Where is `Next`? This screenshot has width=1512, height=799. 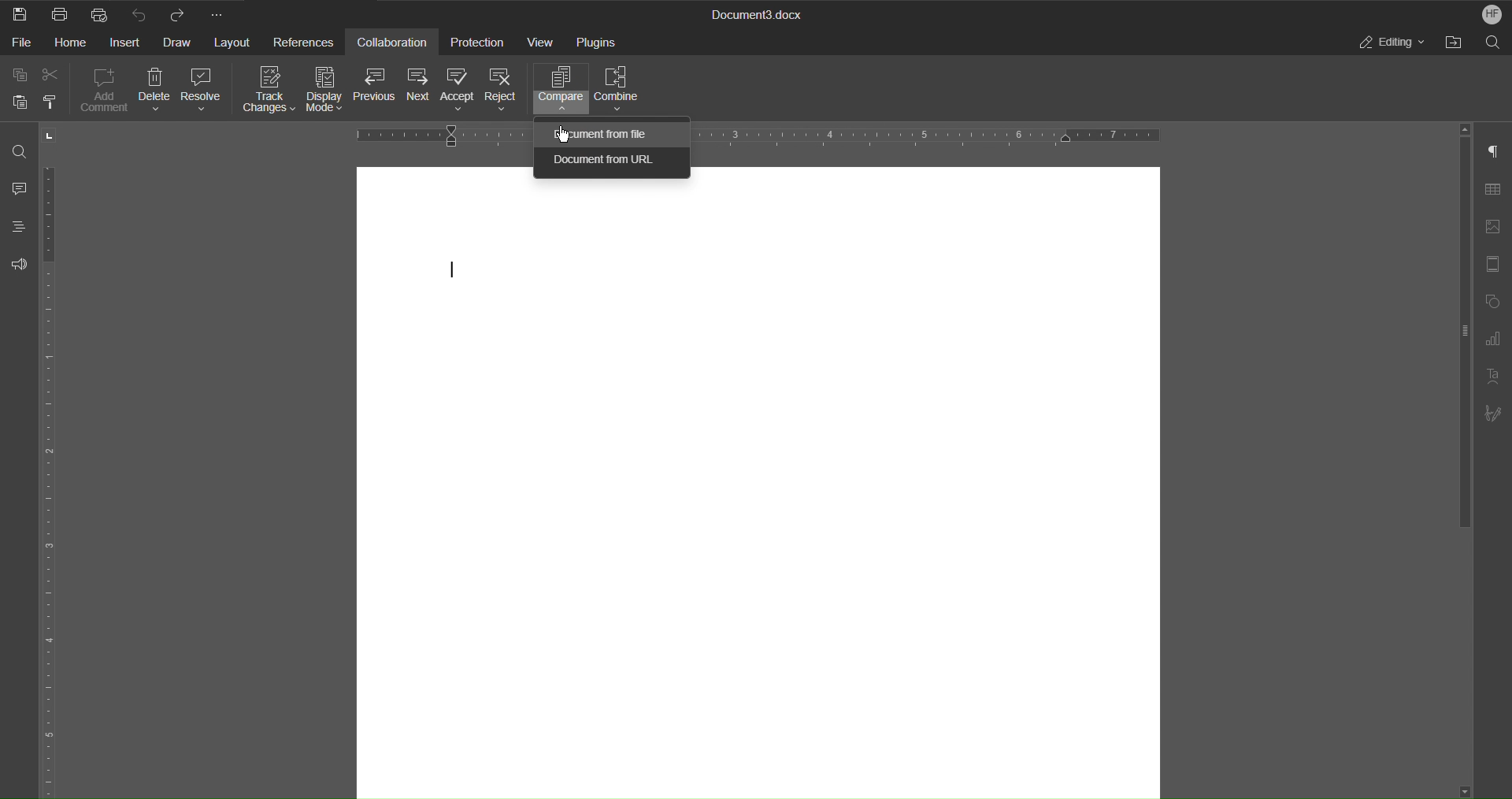
Next is located at coordinates (417, 89).